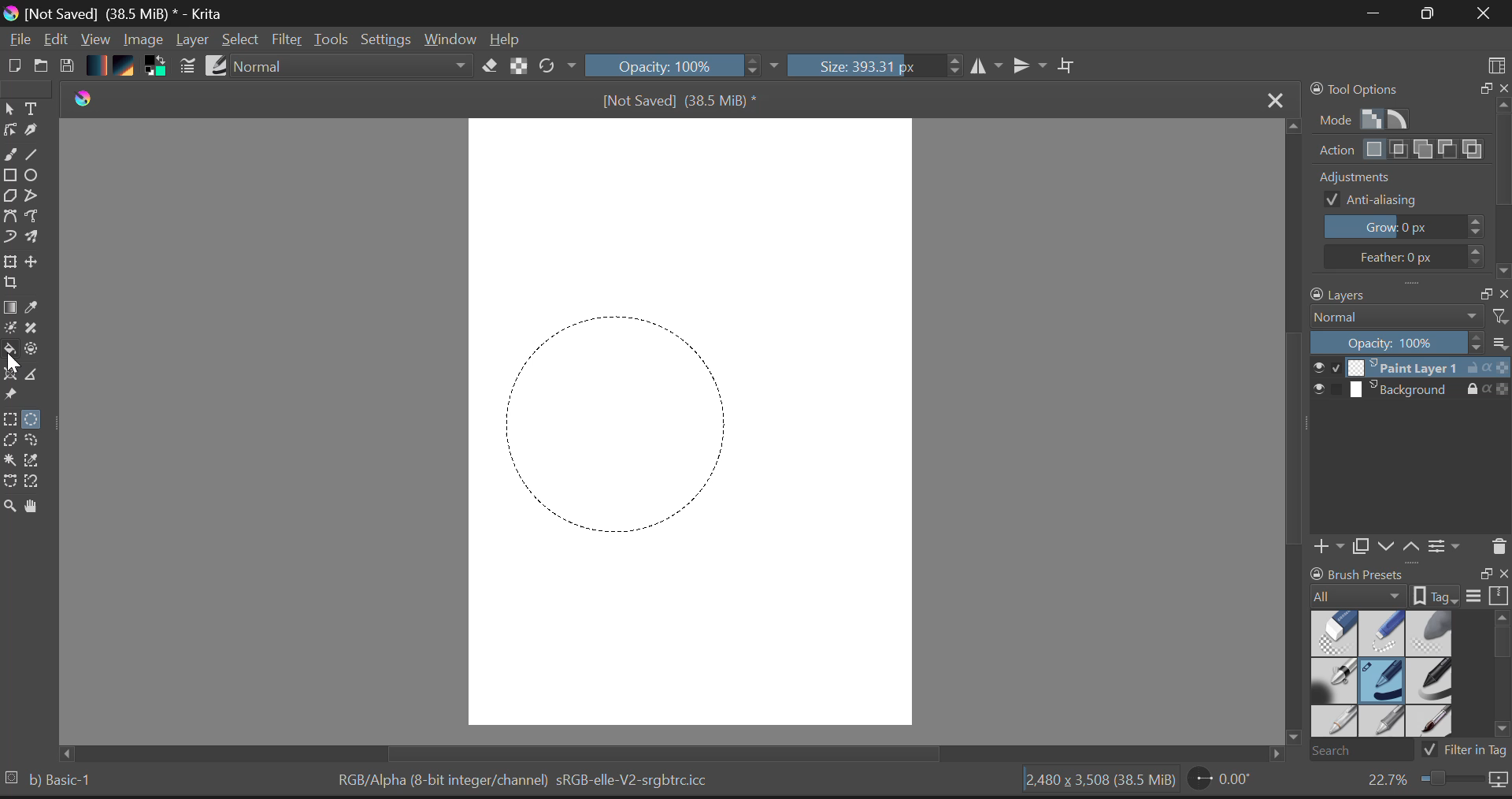  I want to click on Opacity, so click(684, 67).